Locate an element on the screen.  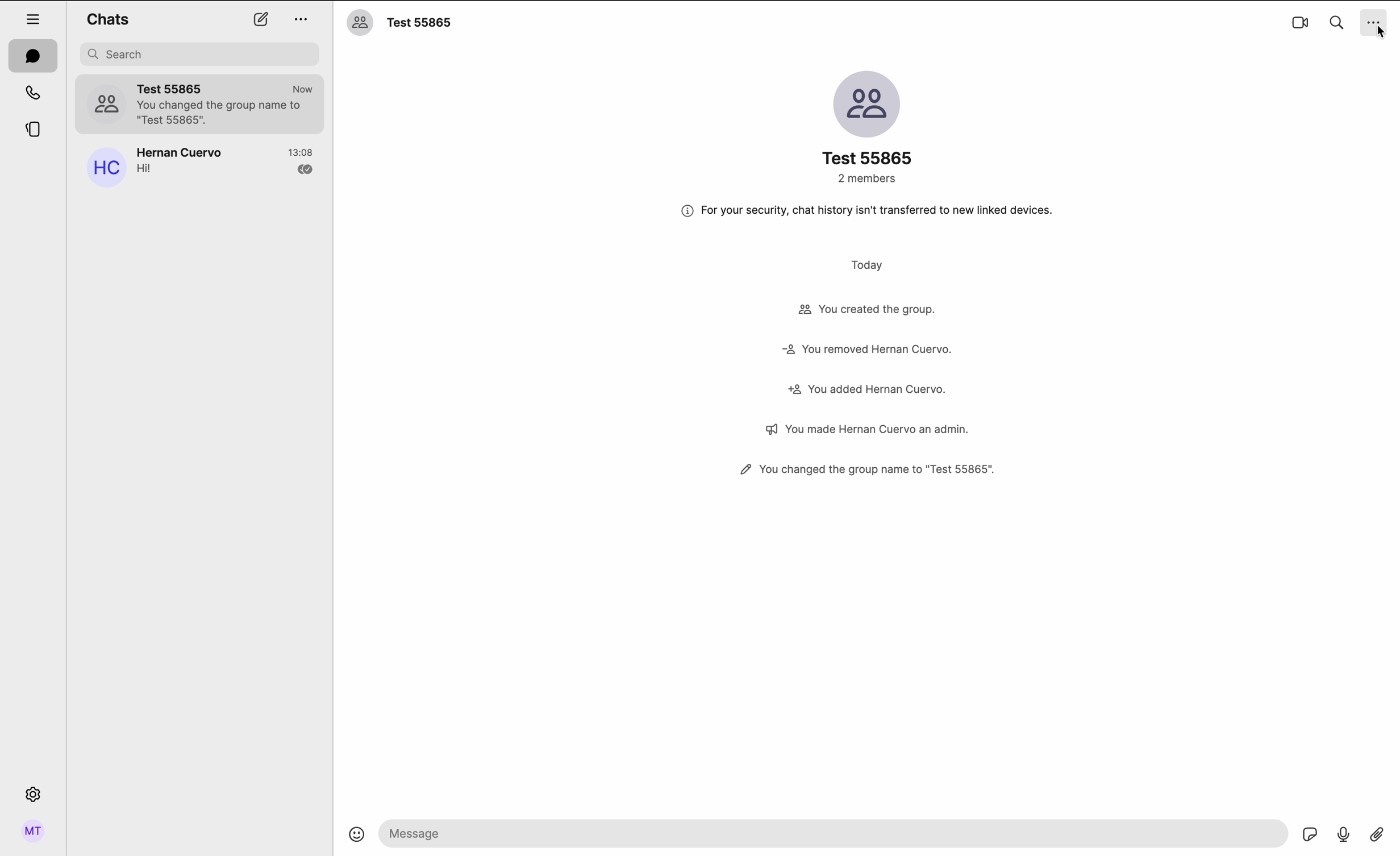
profile picture is located at coordinates (360, 23).